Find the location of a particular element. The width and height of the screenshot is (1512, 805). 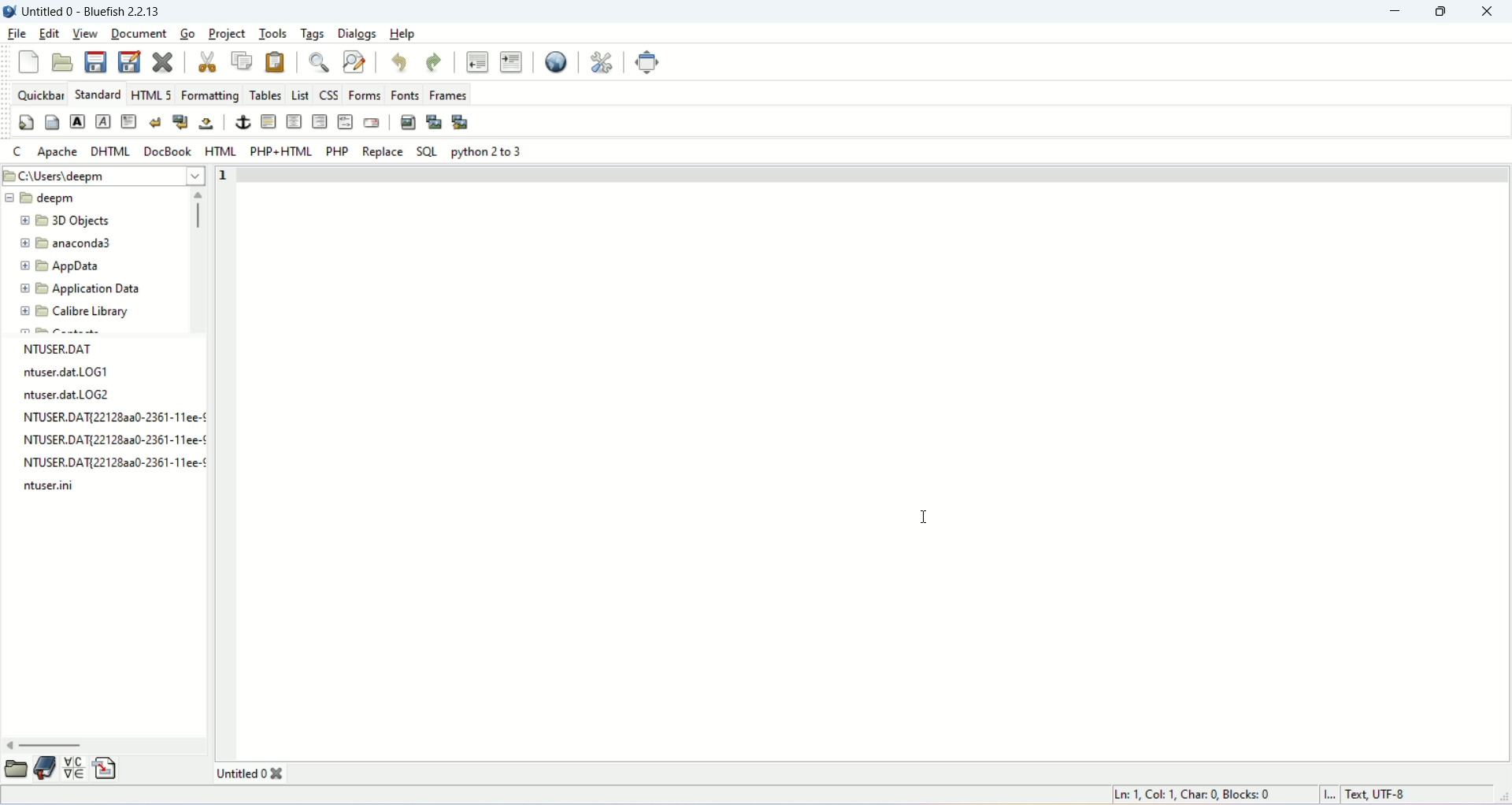

charmap is located at coordinates (73, 768).